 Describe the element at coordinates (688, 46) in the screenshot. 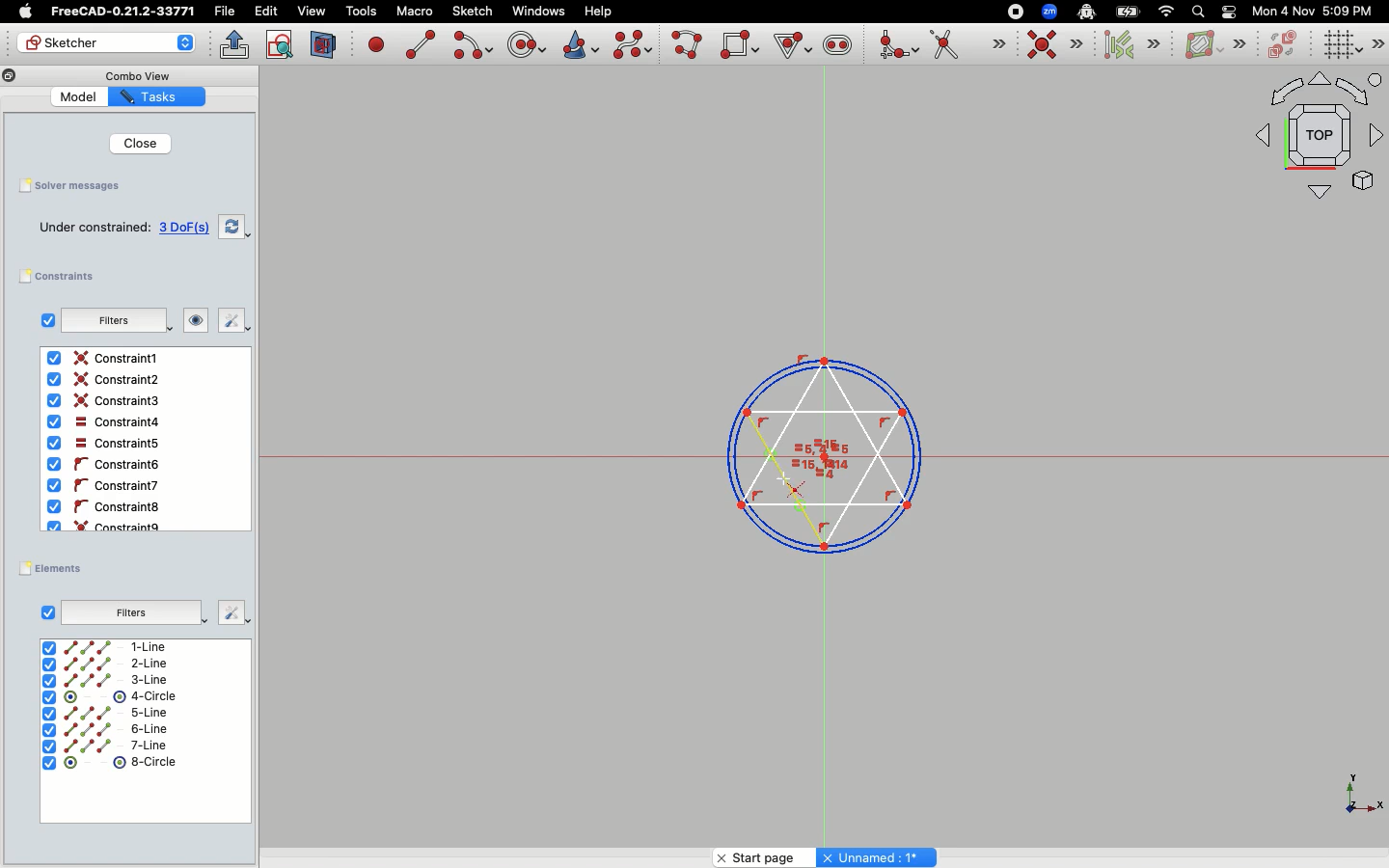

I see `Create poly line` at that location.